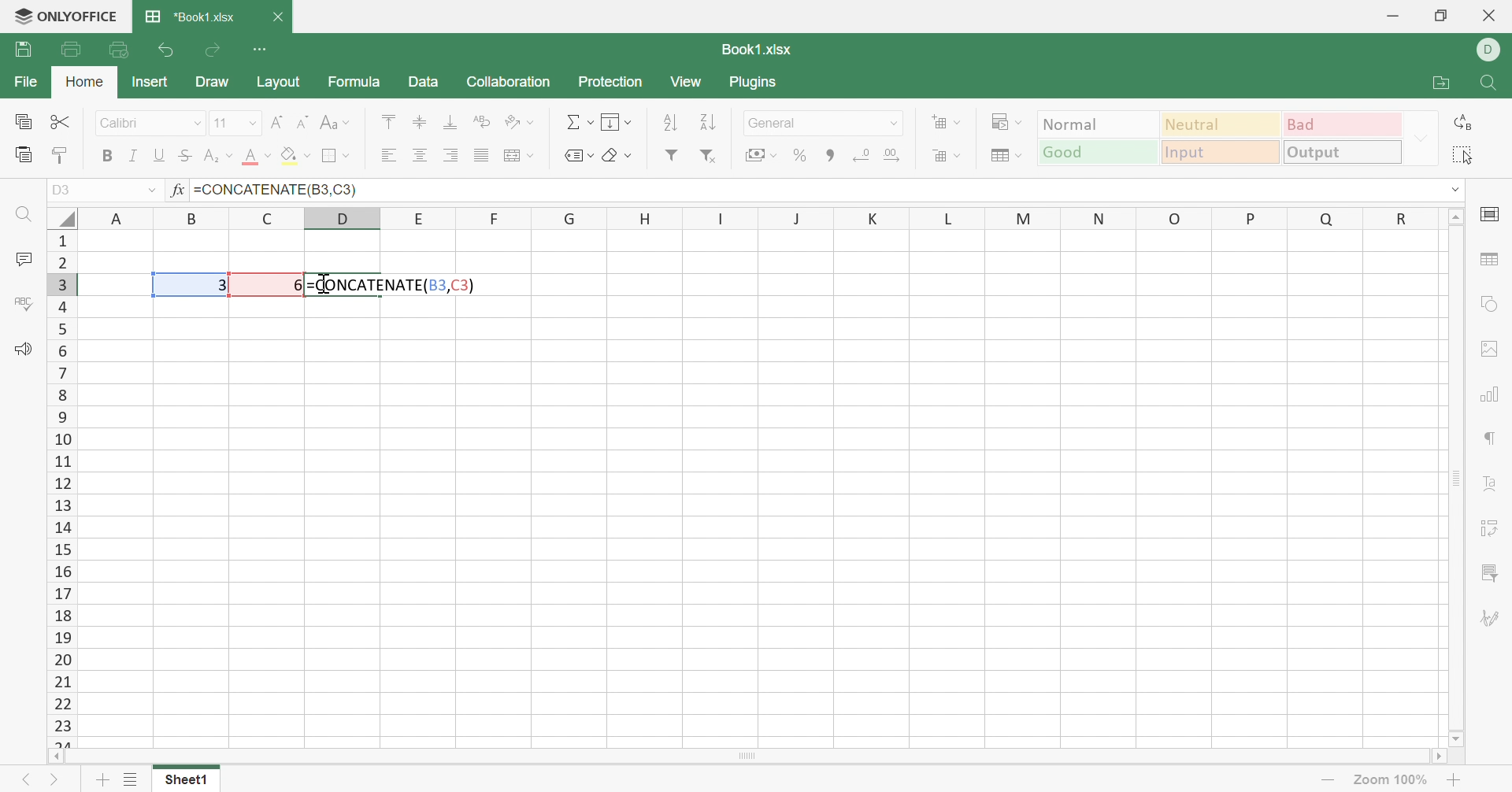 Image resolution: width=1512 pixels, height=792 pixels. I want to click on Comments, so click(24, 260).